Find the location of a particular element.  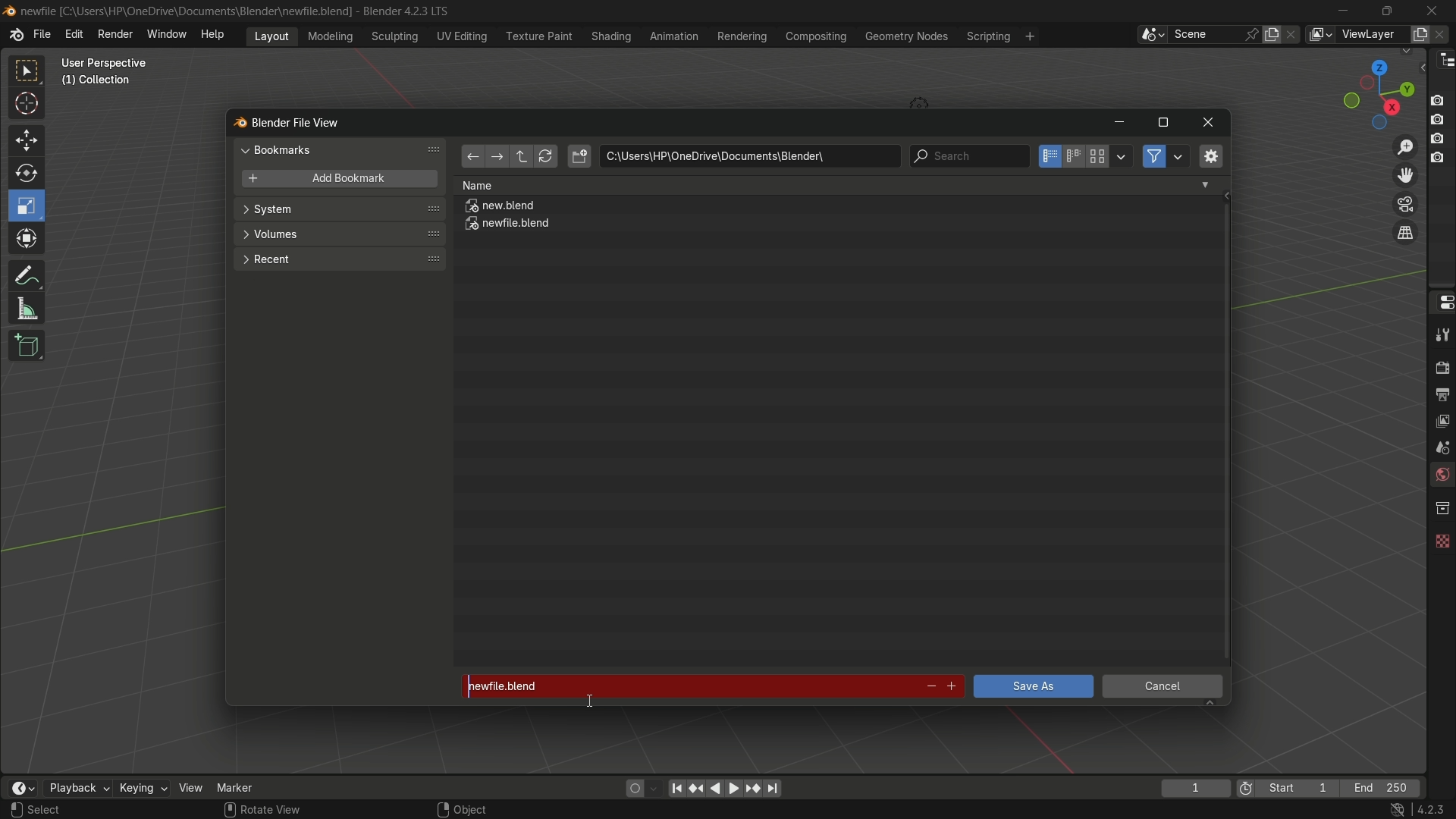

add workspace is located at coordinates (1028, 36).